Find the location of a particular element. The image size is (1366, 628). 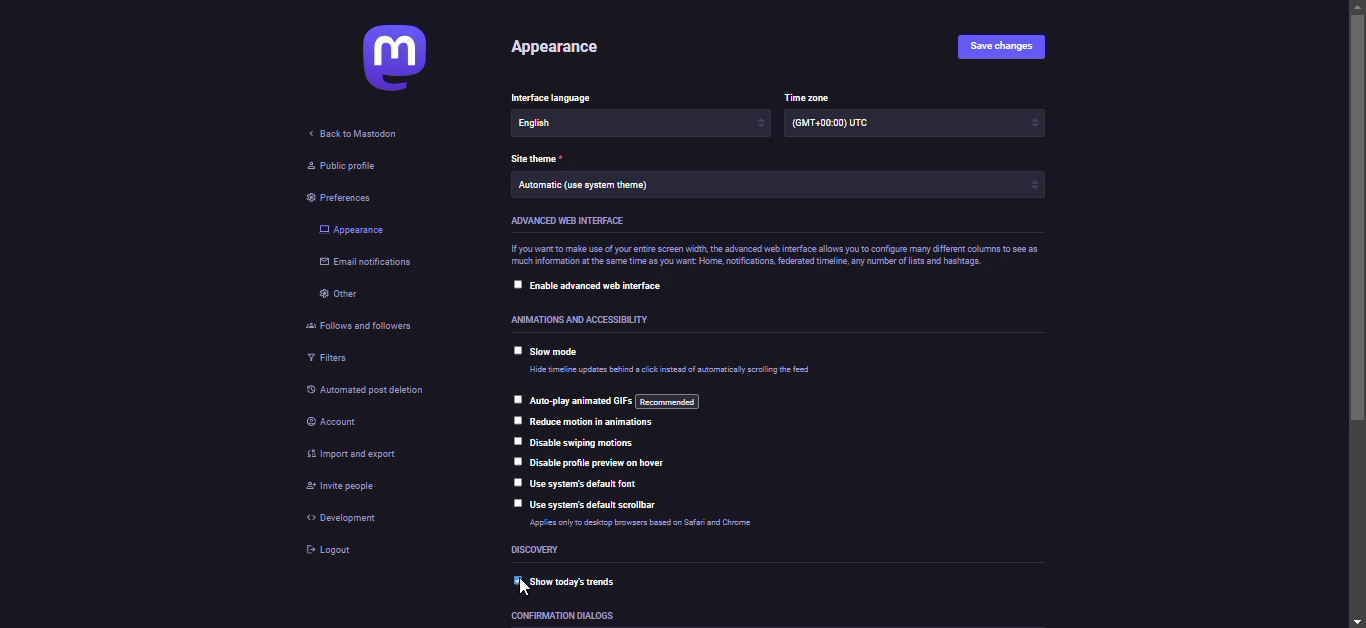

click to select is located at coordinates (518, 440).